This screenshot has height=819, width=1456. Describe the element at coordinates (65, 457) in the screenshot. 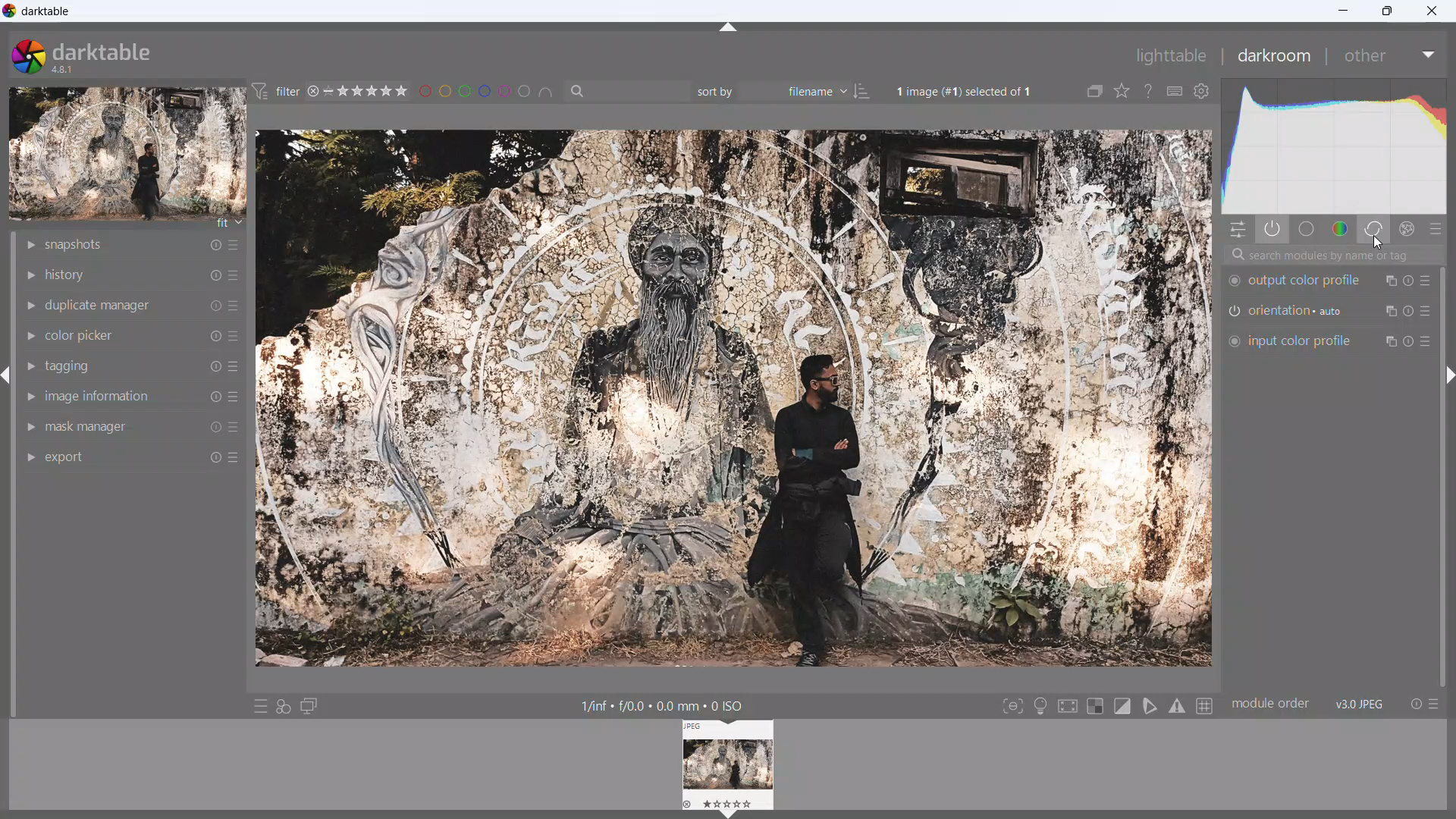

I see `export` at that location.